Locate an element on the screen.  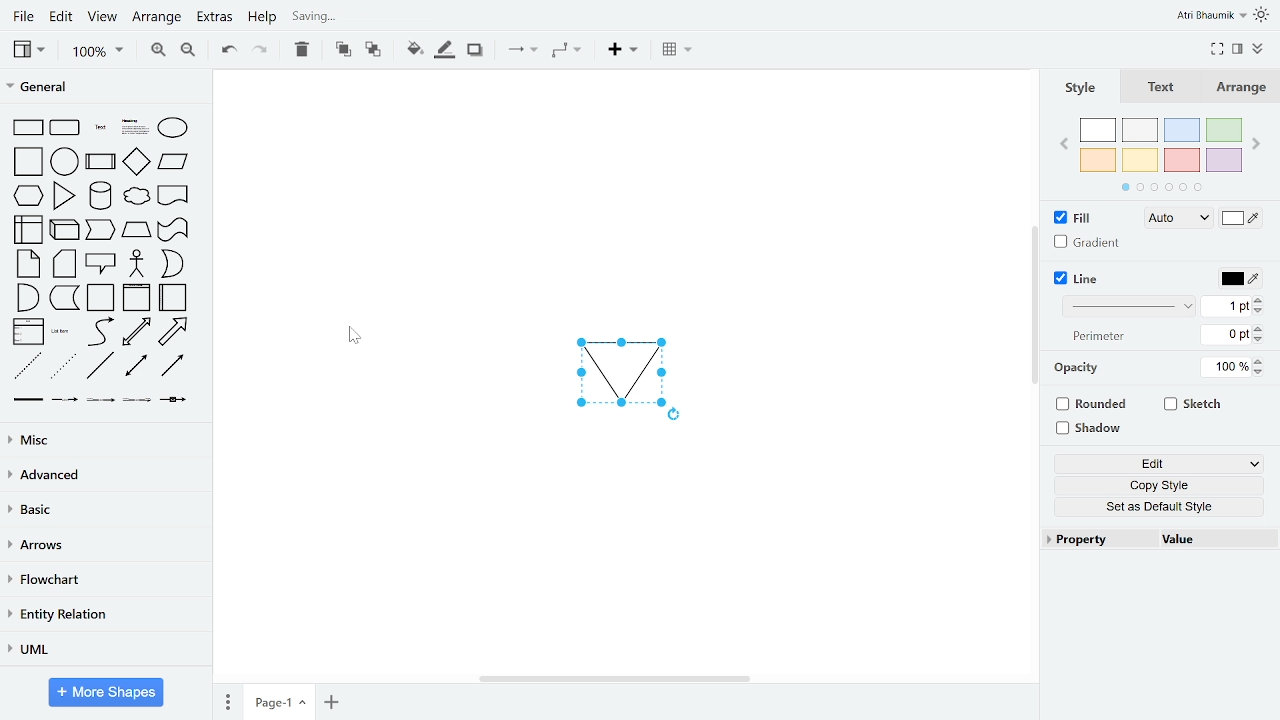
fill color is located at coordinates (1240, 221).